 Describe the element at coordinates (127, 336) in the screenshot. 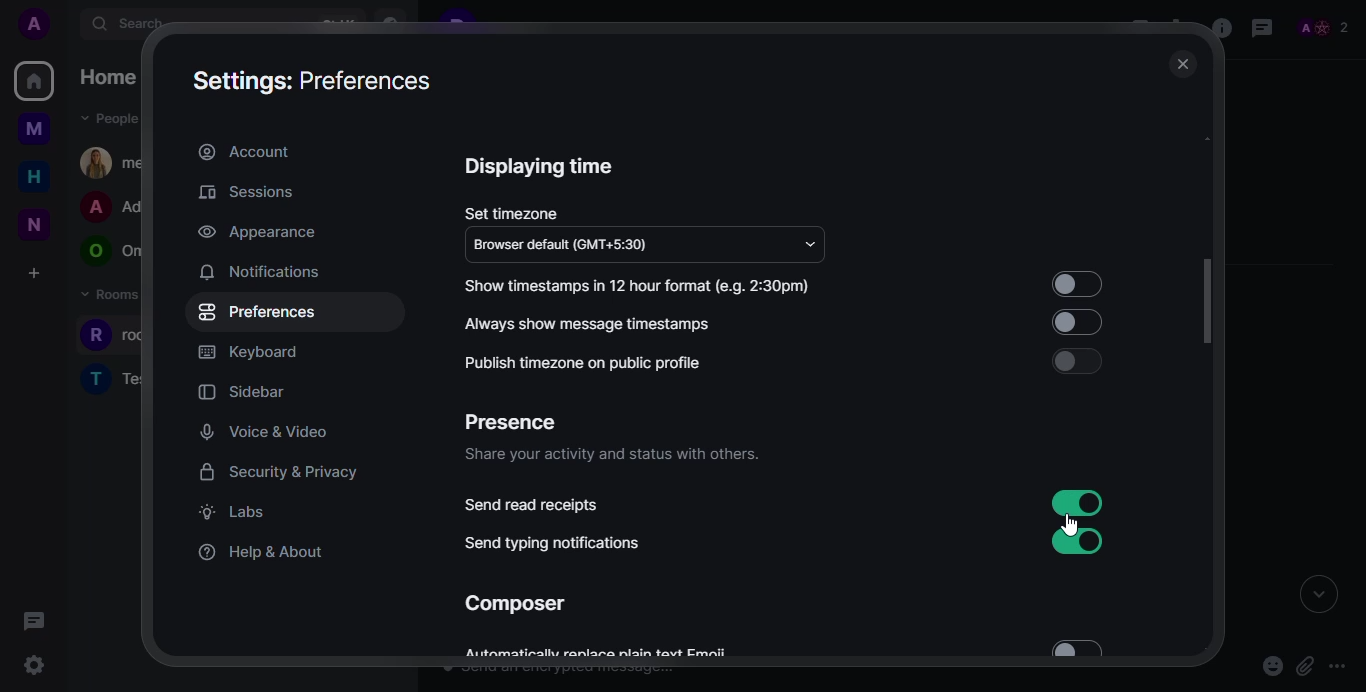

I see `people room` at that location.